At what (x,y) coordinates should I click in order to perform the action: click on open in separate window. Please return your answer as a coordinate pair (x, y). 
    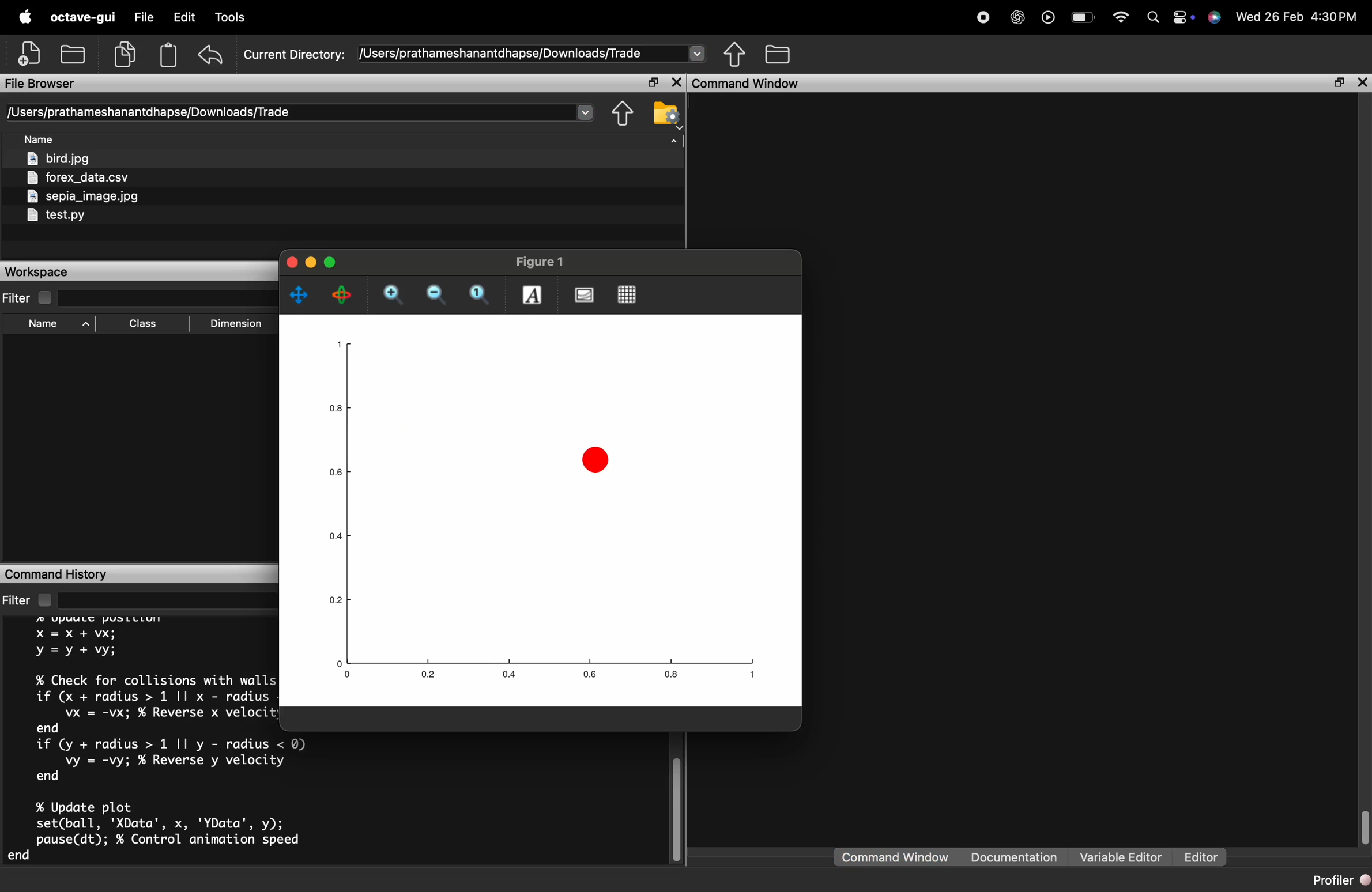
    Looking at the image, I should click on (653, 82).